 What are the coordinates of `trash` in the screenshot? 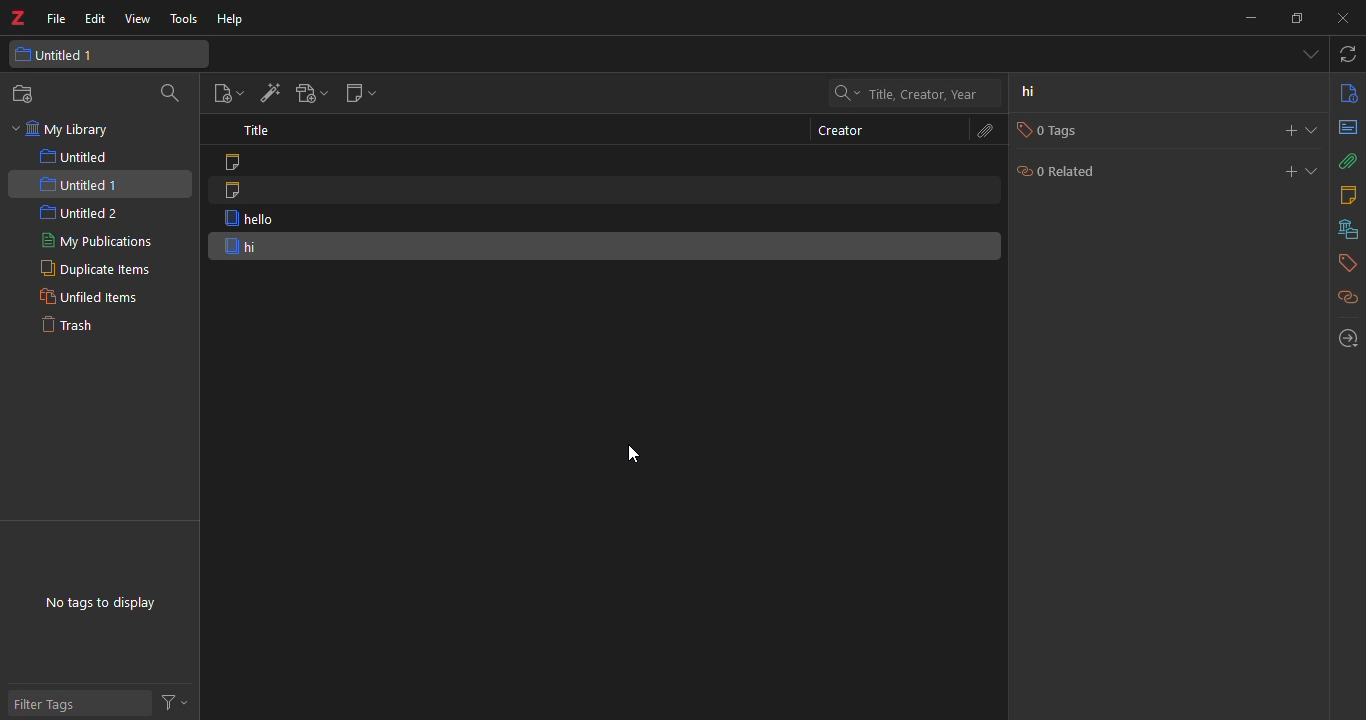 It's located at (74, 326).